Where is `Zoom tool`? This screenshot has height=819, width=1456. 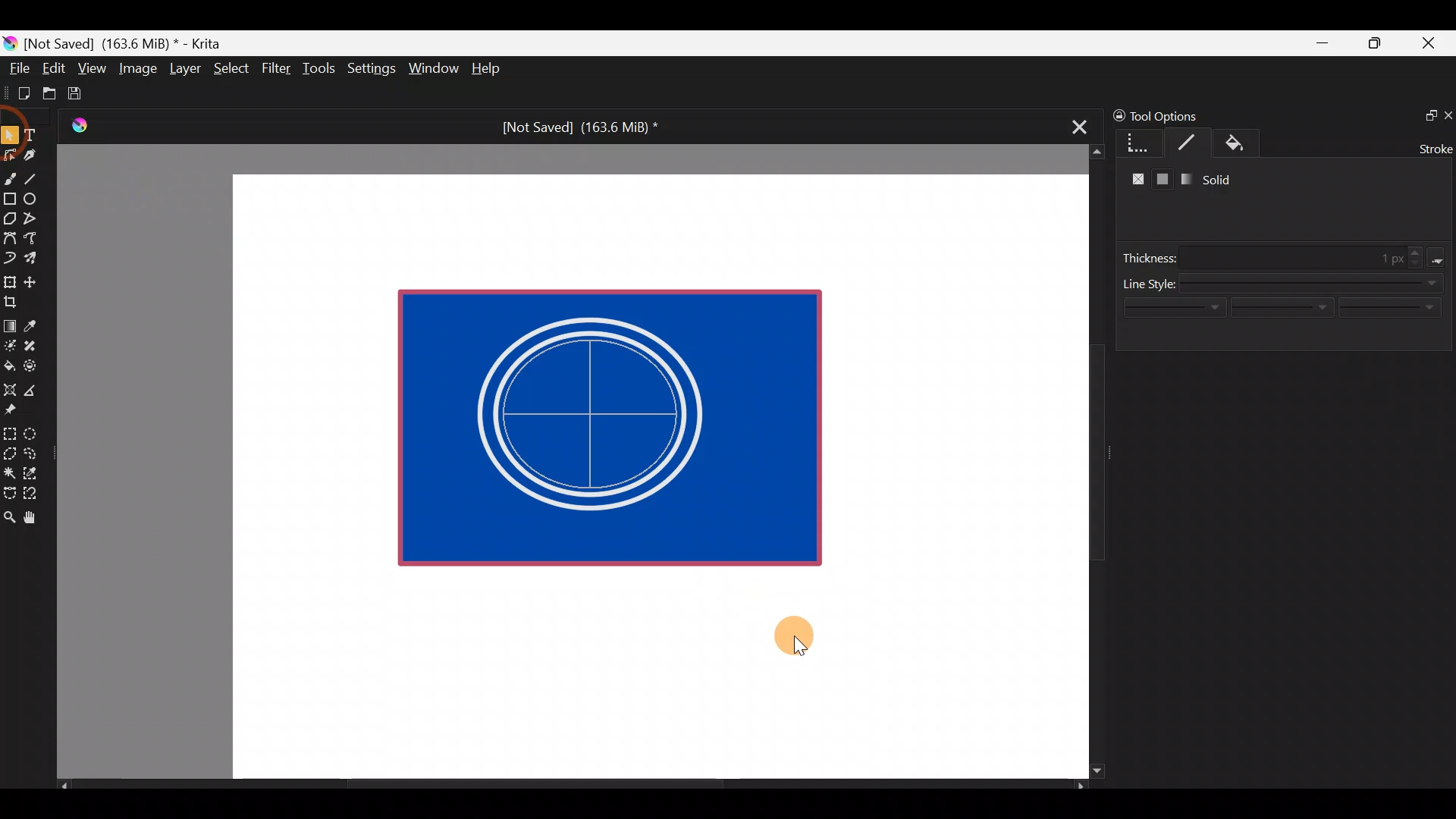
Zoom tool is located at coordinates (9, 516).